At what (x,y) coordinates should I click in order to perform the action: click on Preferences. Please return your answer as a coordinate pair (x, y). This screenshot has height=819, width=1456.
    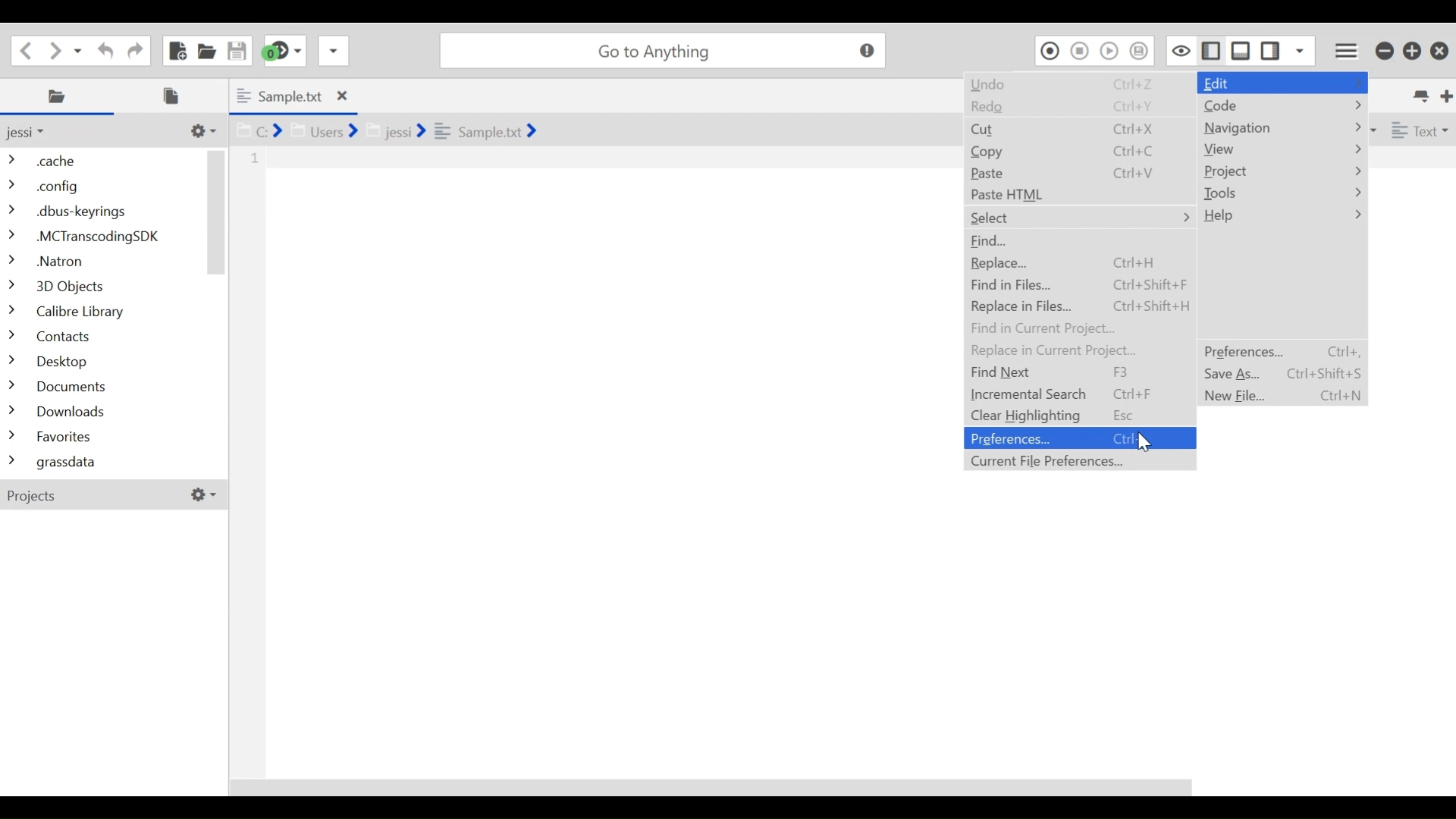
    Looking at the image, I should click on (1281, 351).